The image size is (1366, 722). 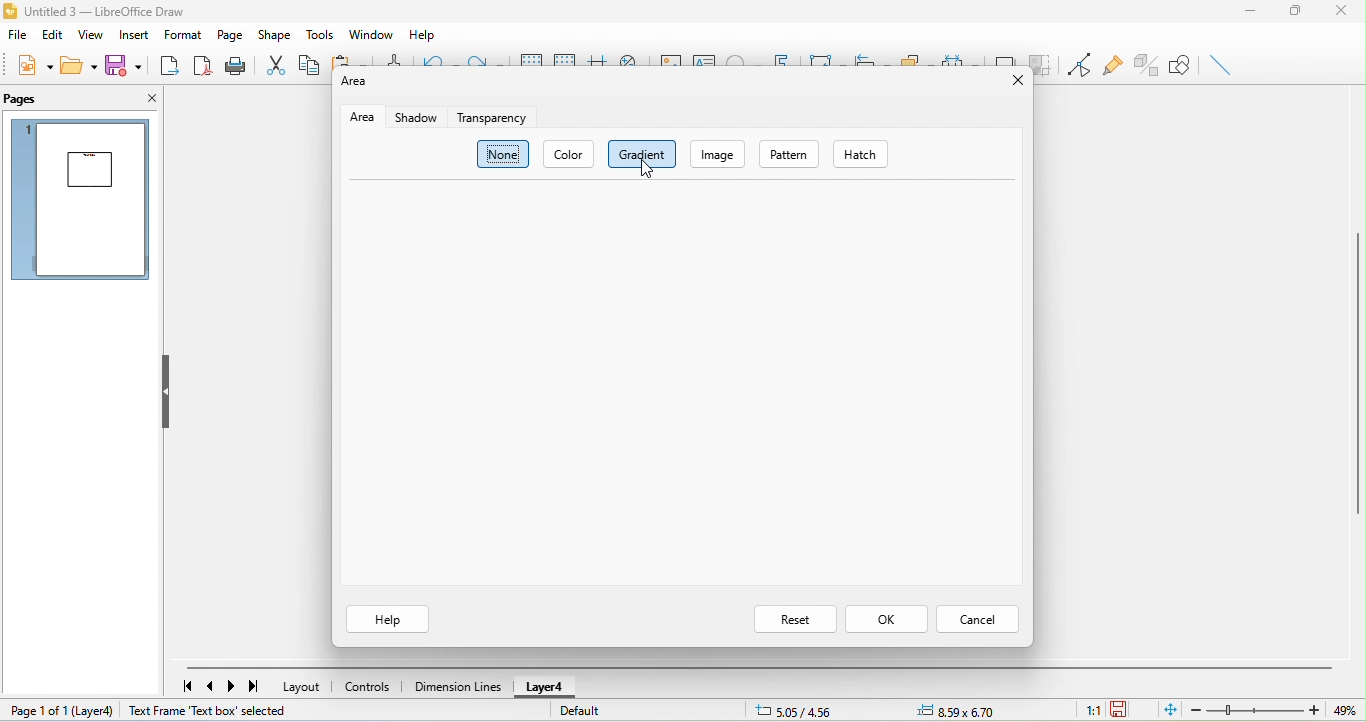 I want to click on snap to grids, so click(x=567, y=57).